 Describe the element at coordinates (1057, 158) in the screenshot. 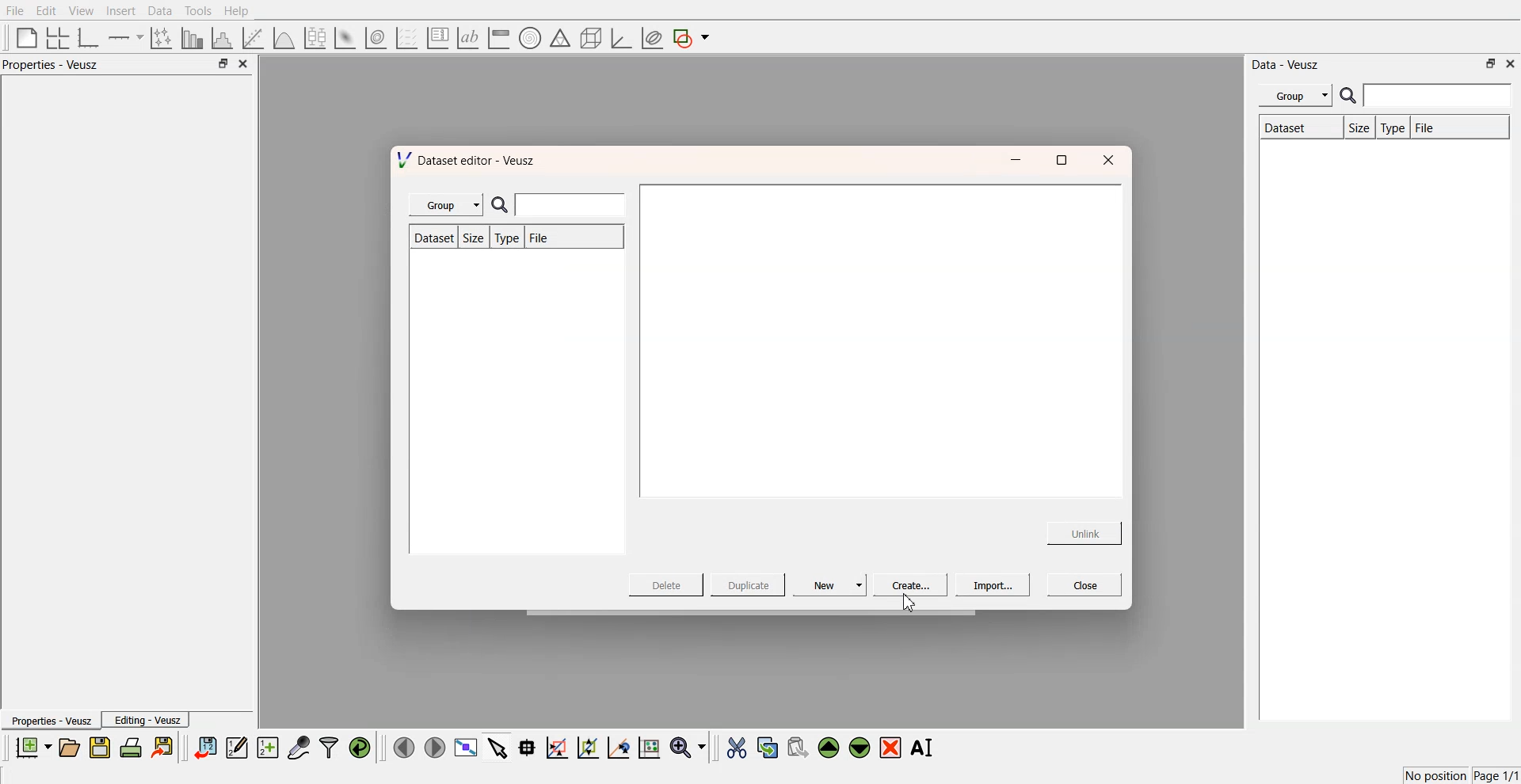

I see `maximise` at that location.